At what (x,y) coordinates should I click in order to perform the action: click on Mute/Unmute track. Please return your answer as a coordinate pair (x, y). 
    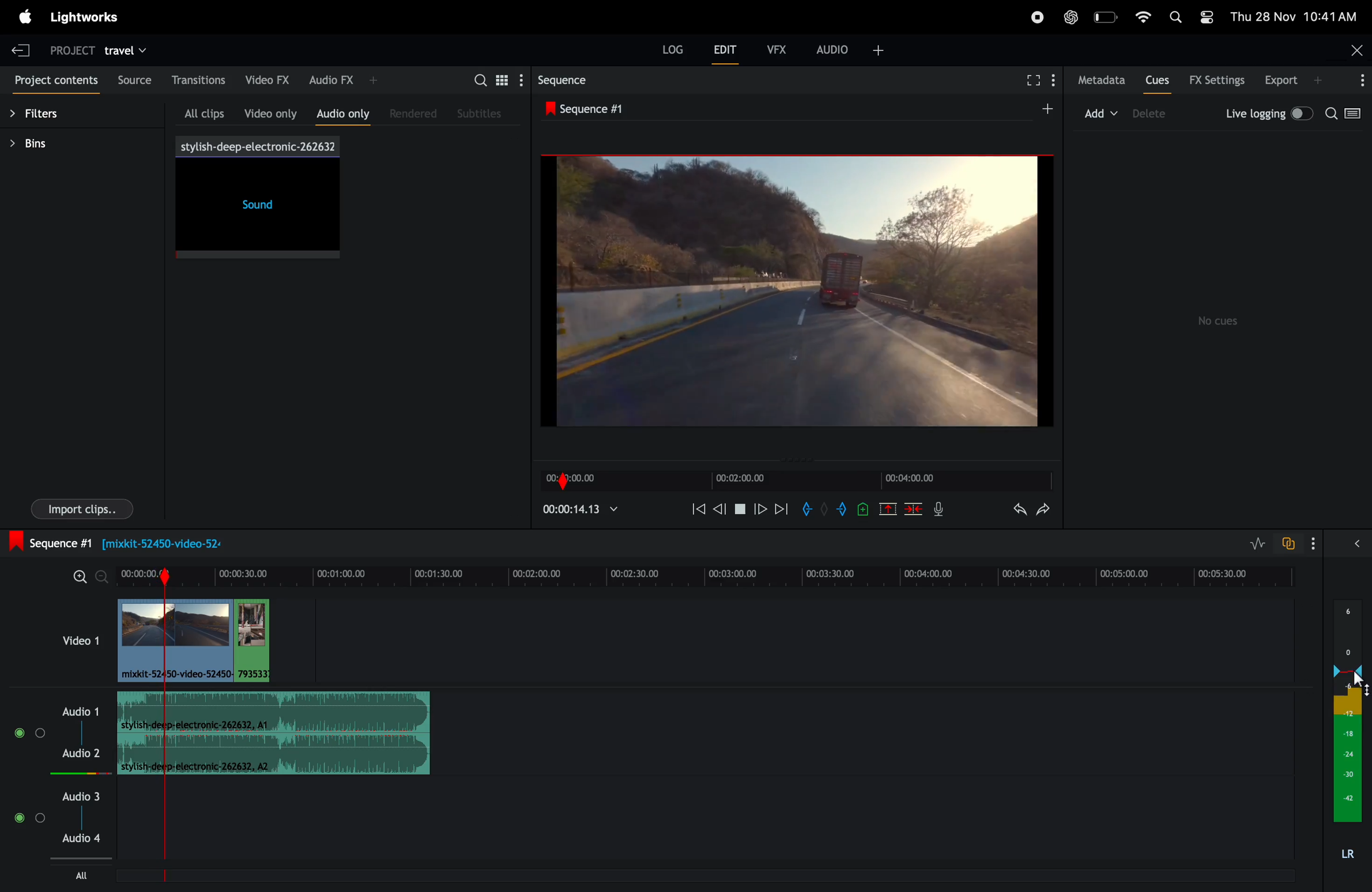
    Looking at the image, I should click on (19, 823).